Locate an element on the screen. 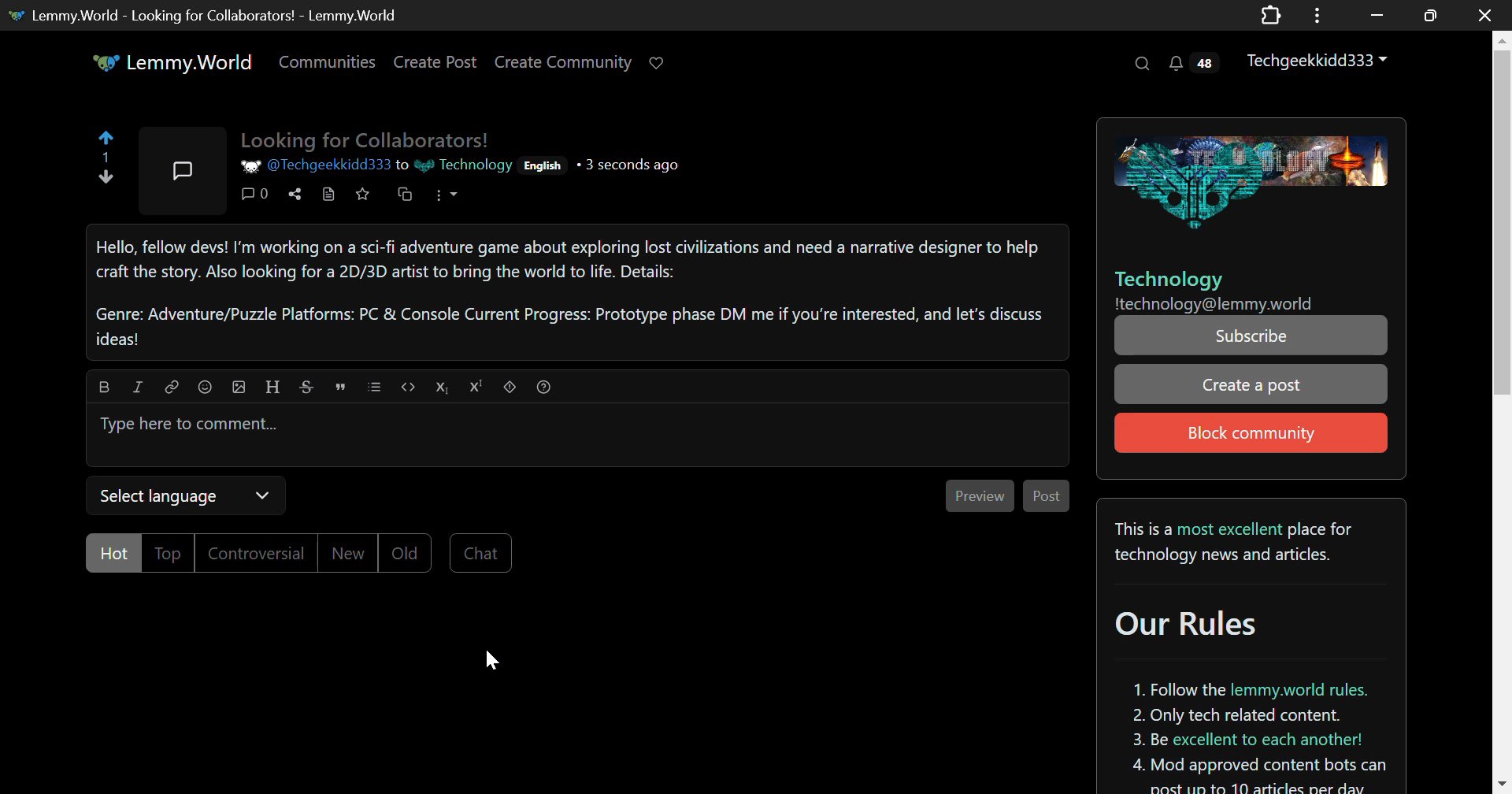  Donate to Lemmy is located at coordinates (658, 64).